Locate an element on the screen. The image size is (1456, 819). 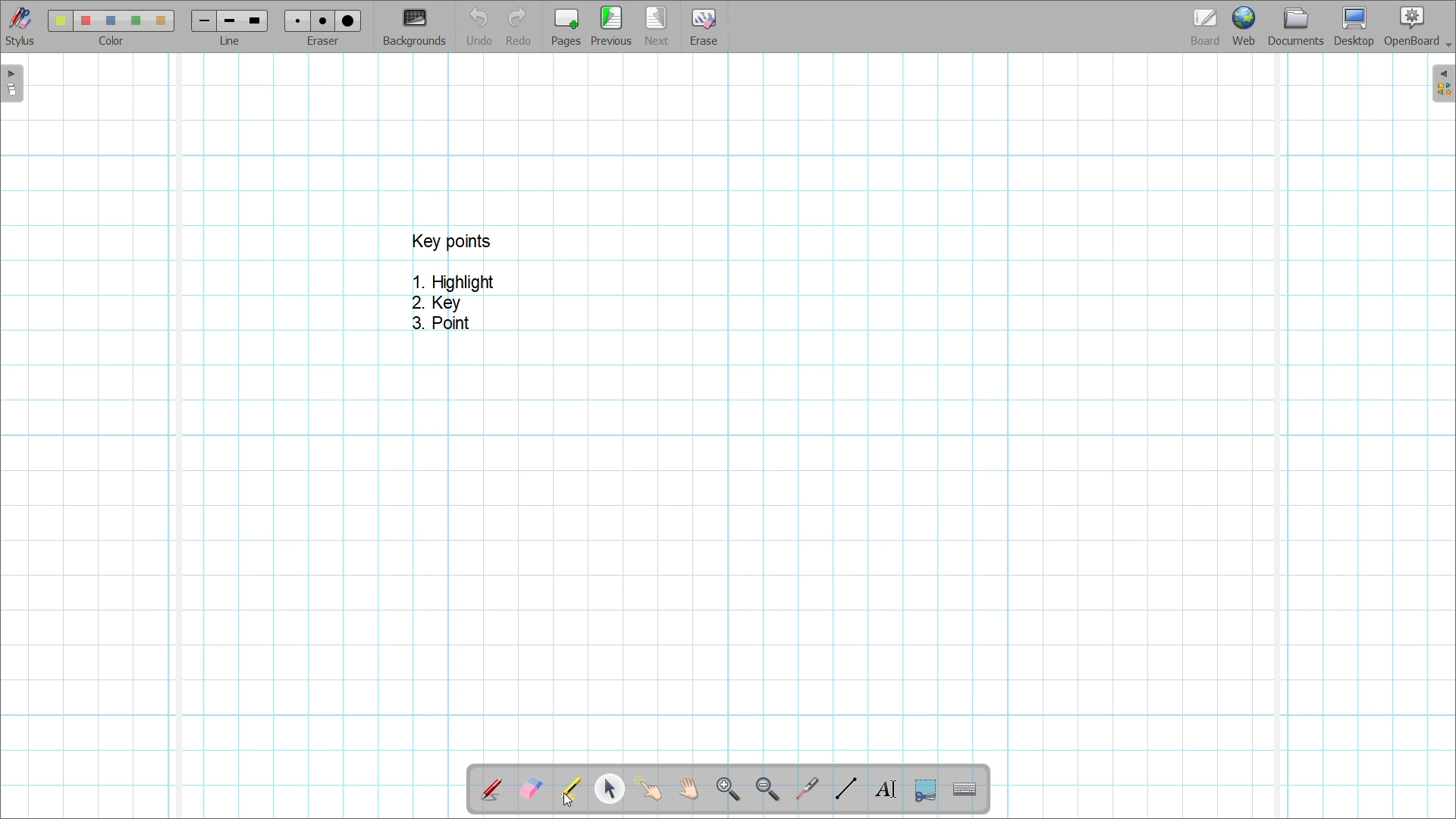
line 3 is located at coordinates (253, 20).